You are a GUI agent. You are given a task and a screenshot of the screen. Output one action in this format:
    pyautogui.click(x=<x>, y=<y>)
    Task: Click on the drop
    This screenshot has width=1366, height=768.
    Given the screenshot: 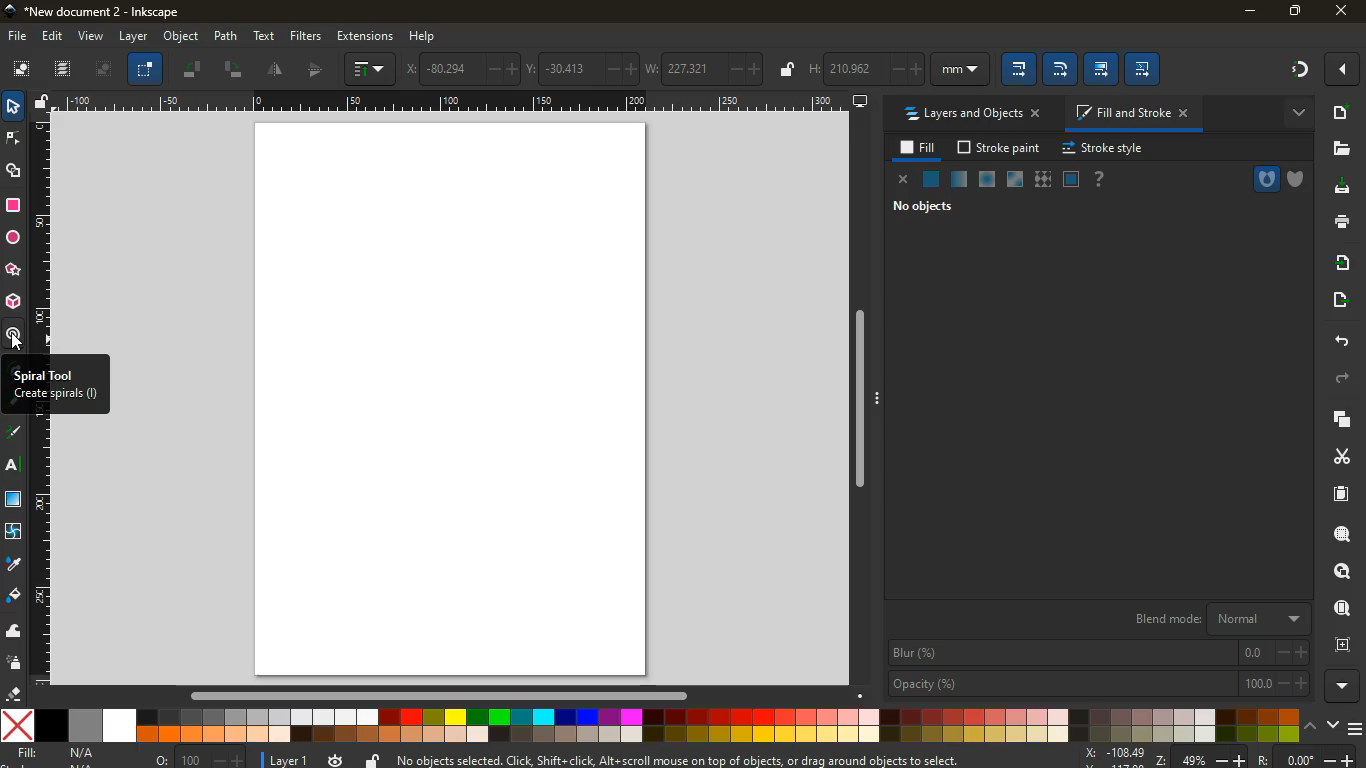 What is the action you would take?
    pyautogui.click(x=14, y=566)
    